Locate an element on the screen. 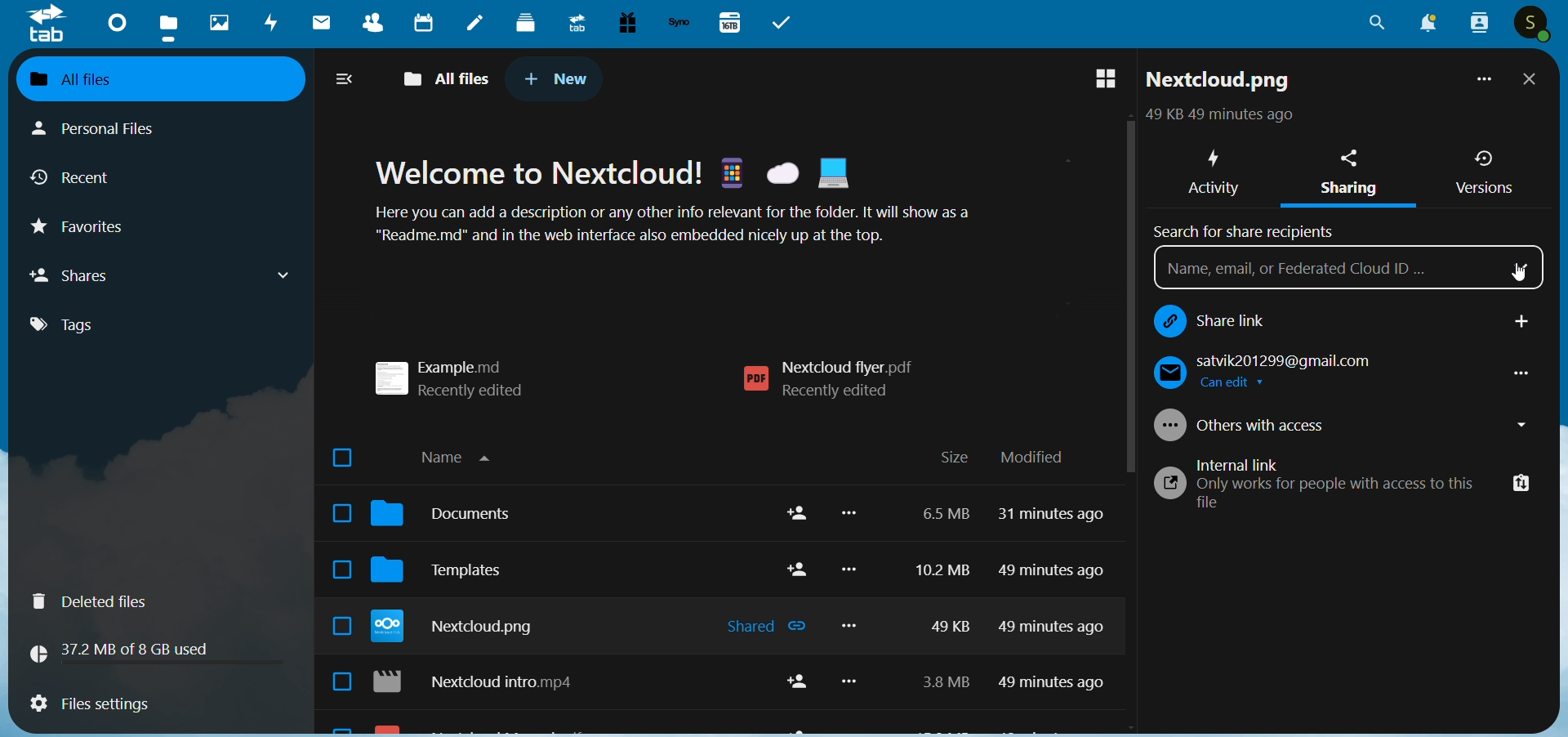  document is located at coordinates (452, 518).